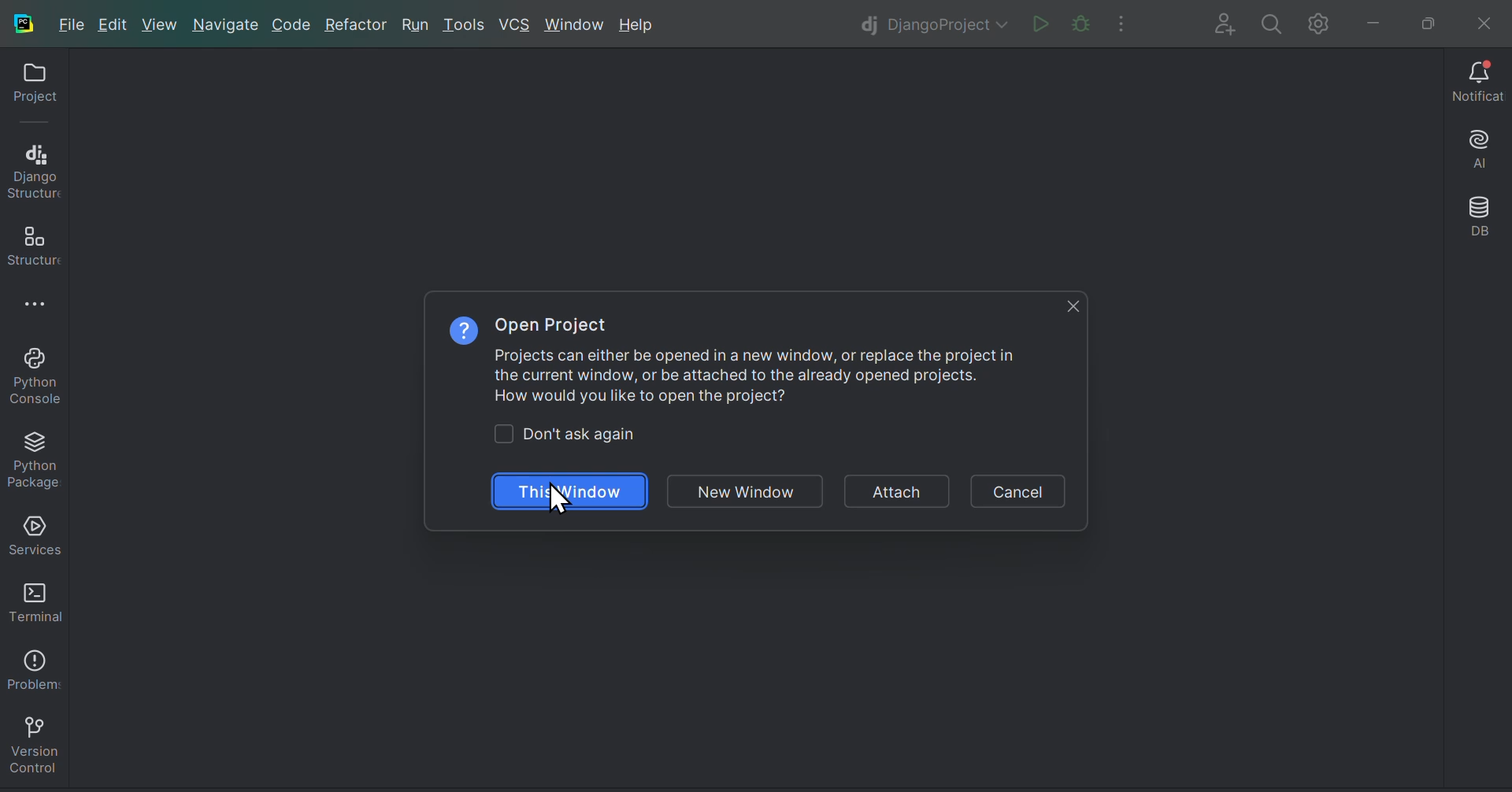 This screenshot has width=1512, height=792. What do you see at coordinates (1037, 22) in the screenshot?
I see `Run file` at bounding box center [1037, 22].